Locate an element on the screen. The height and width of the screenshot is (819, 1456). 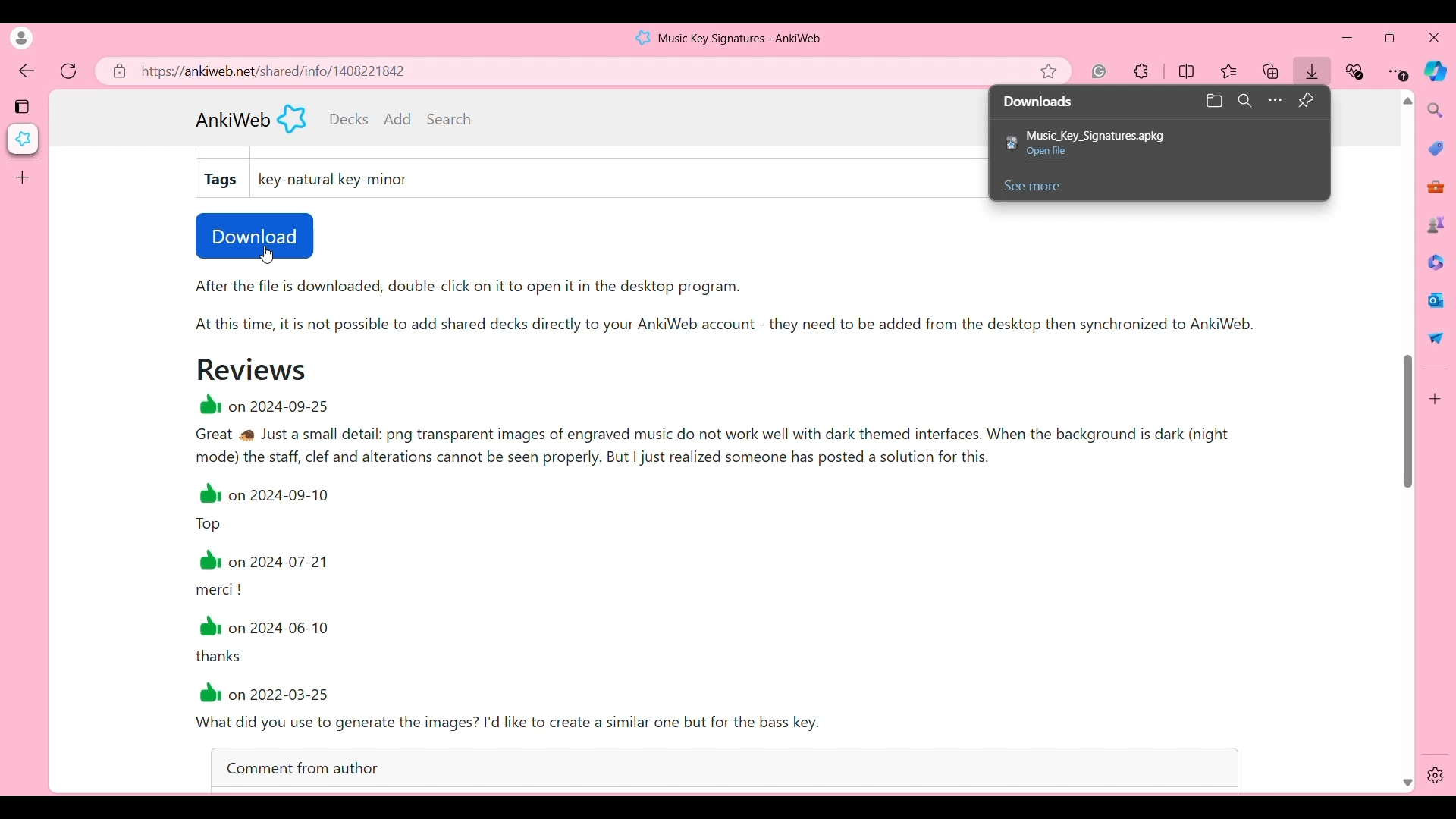
Close browser is located at coordinates (1434, 37).